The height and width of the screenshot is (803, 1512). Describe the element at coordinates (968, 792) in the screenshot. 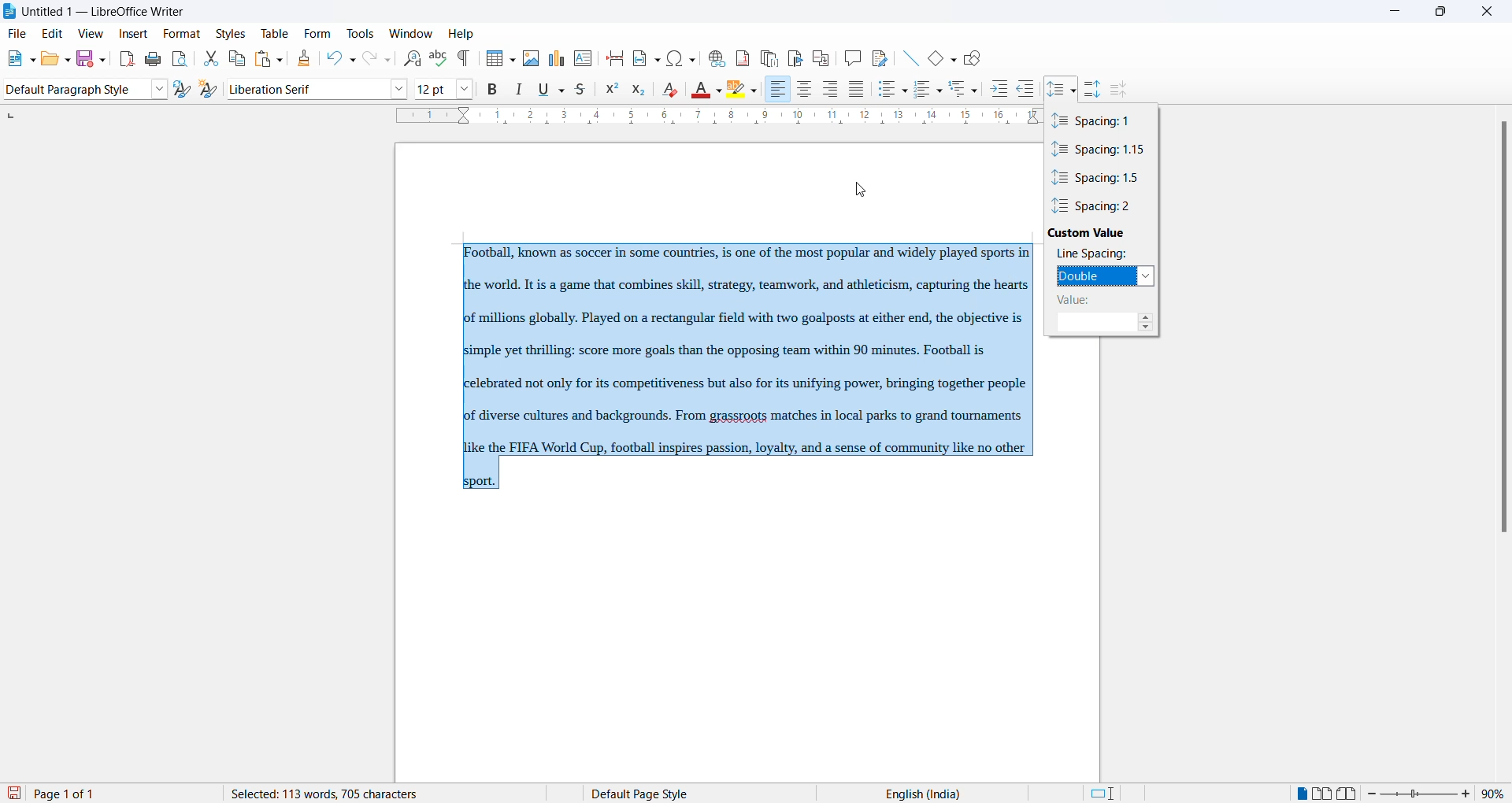

I see `text language` at that location.